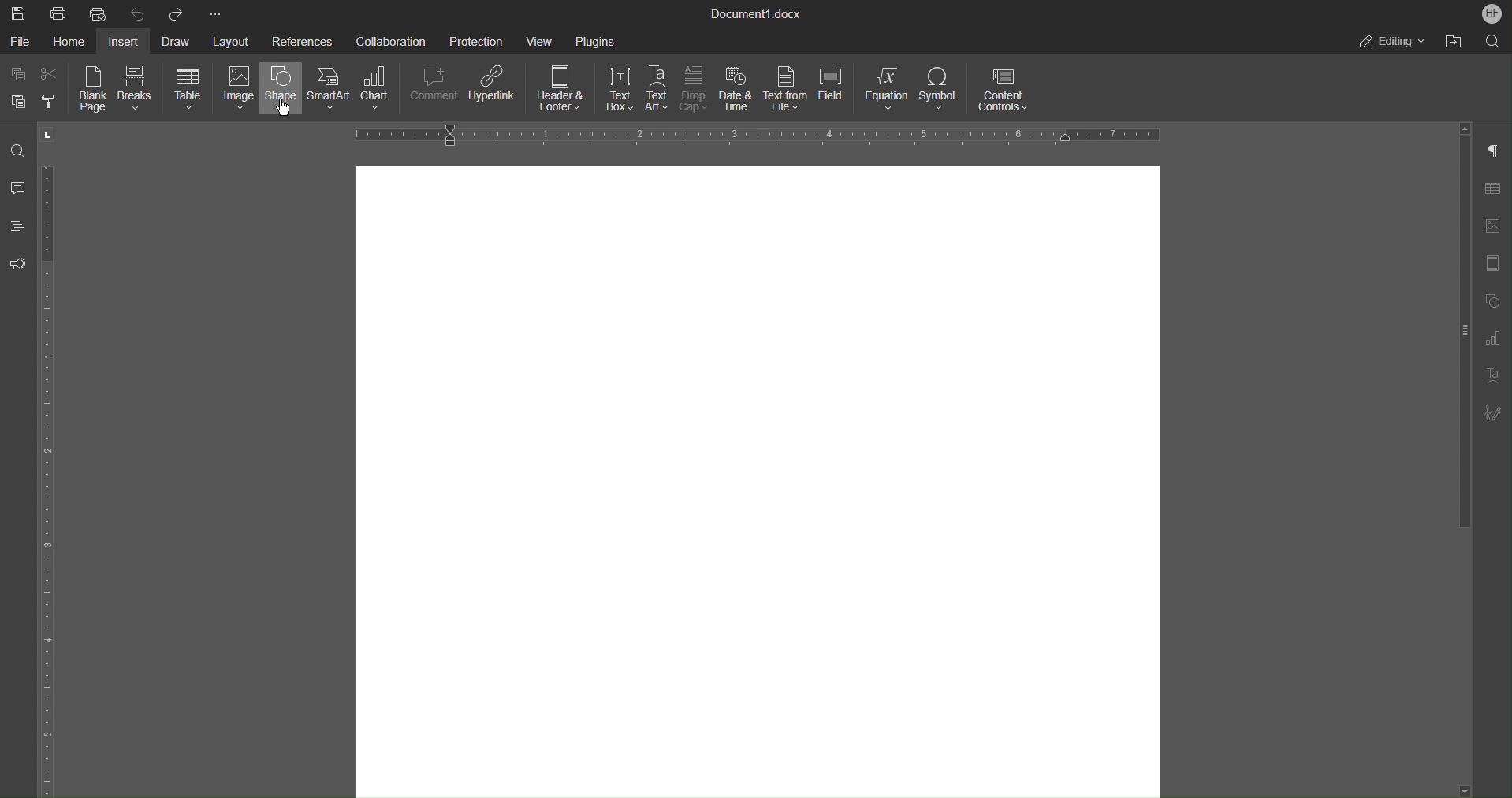  What do you see at coordinates (137, 91) in the screenshot?
I see `Breaks` at bounding box center [137, 91].